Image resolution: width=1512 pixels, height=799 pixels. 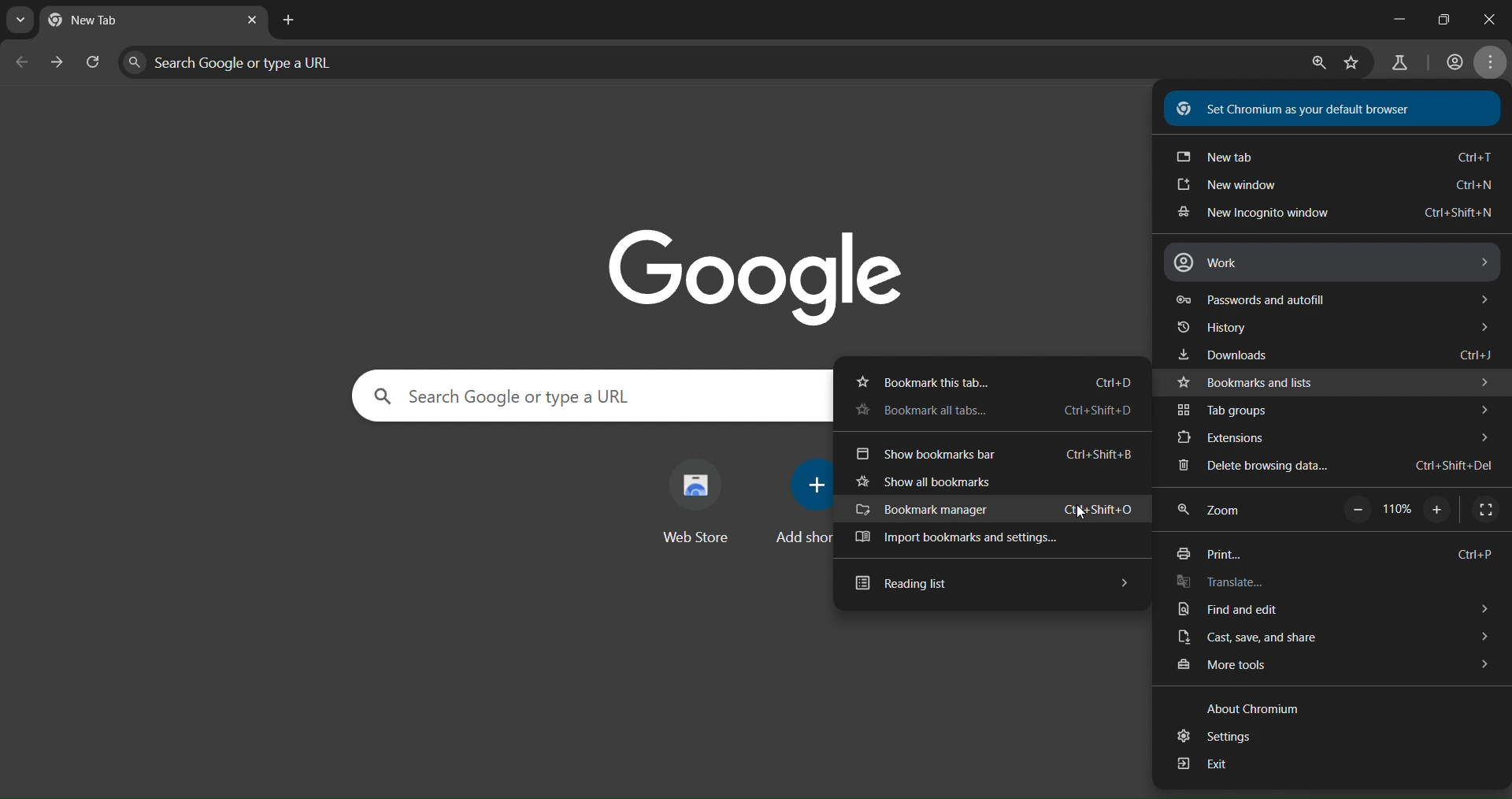 What do you see at coordinates (1399, 63) in the screenshot?
I see `search labs` at bounding box center [1399, 63].